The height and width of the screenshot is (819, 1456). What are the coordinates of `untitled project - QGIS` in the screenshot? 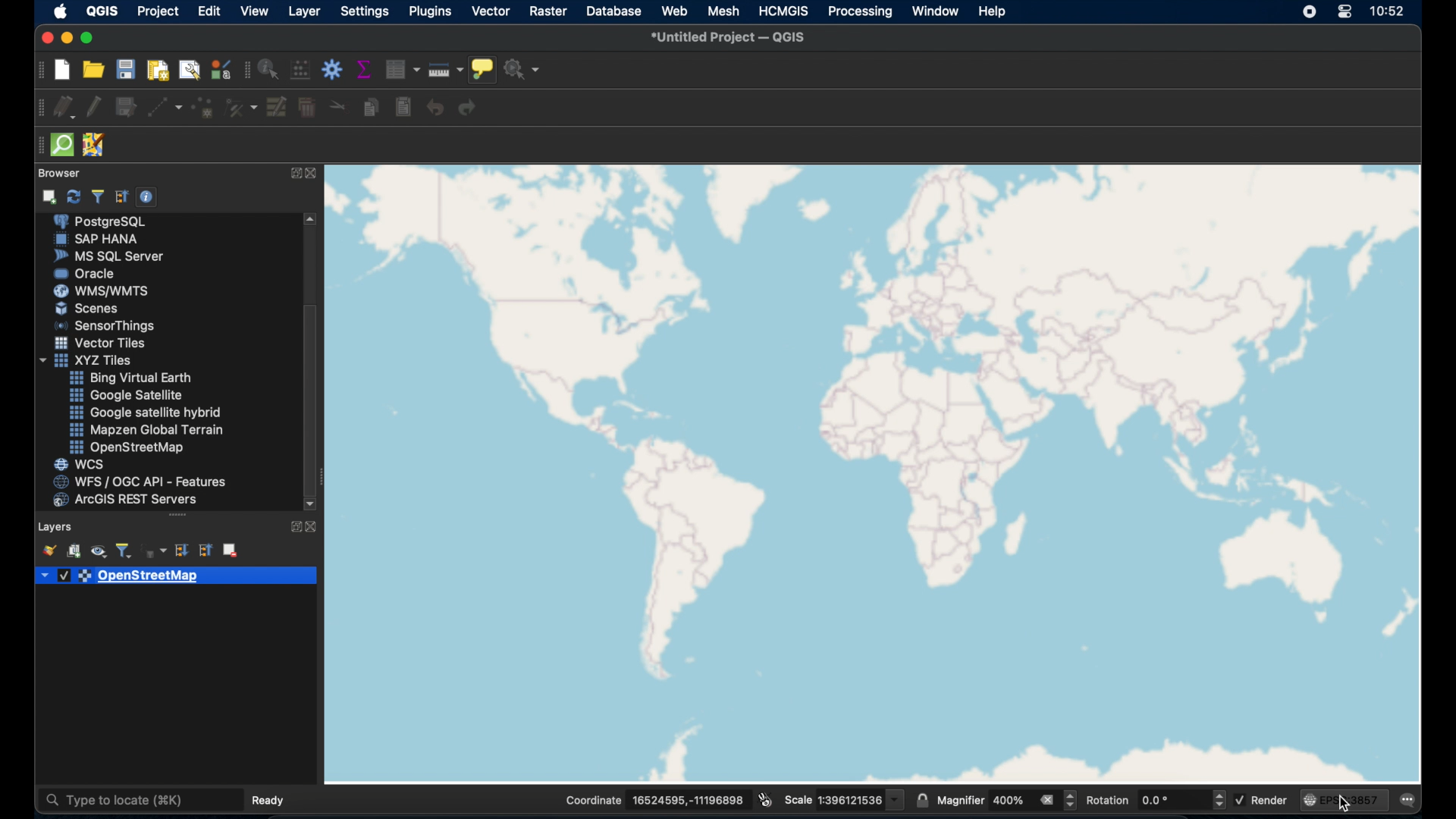 It's located at (730, 36).